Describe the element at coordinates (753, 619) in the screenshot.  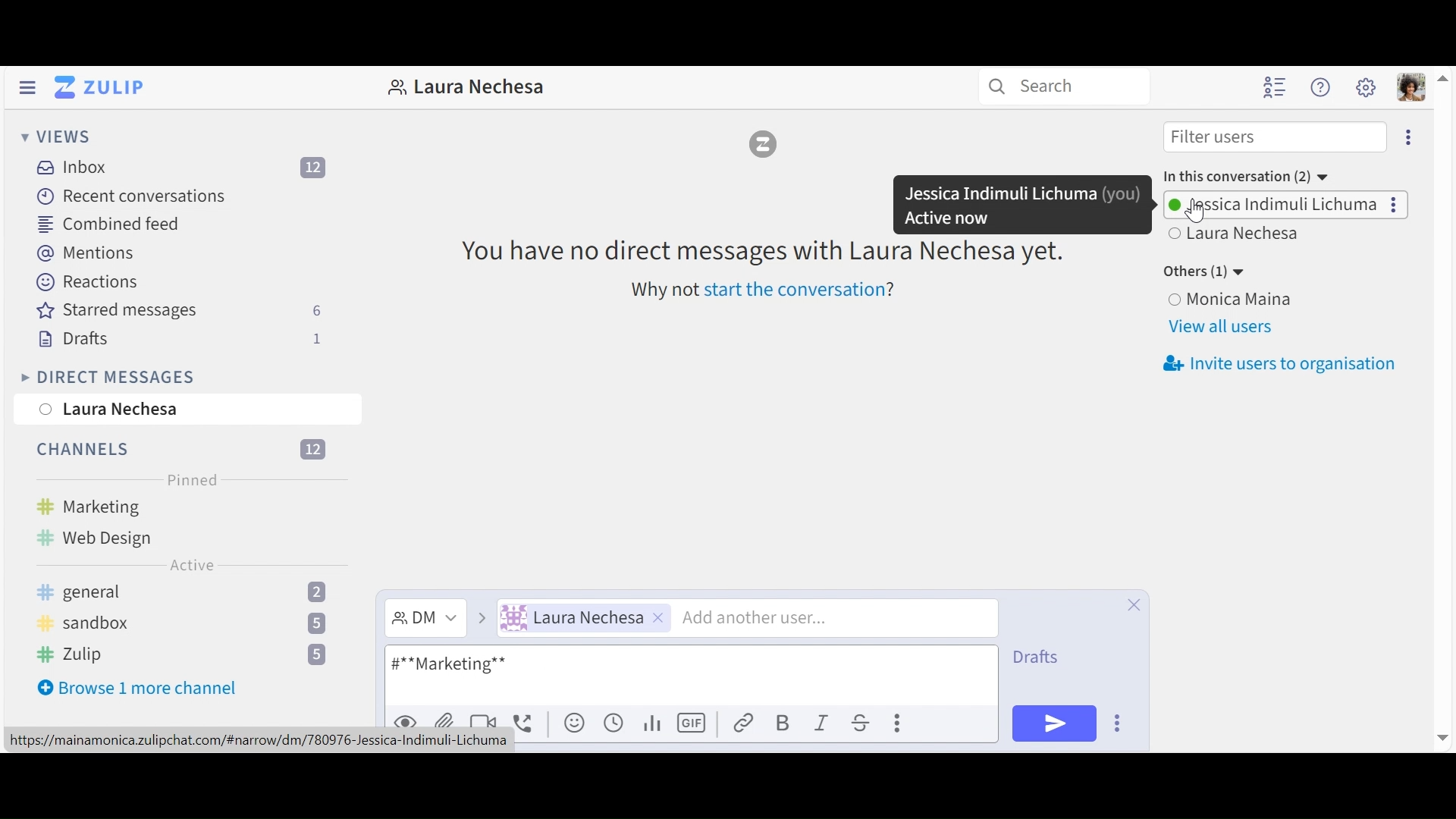
I see `Add another user` at that location.